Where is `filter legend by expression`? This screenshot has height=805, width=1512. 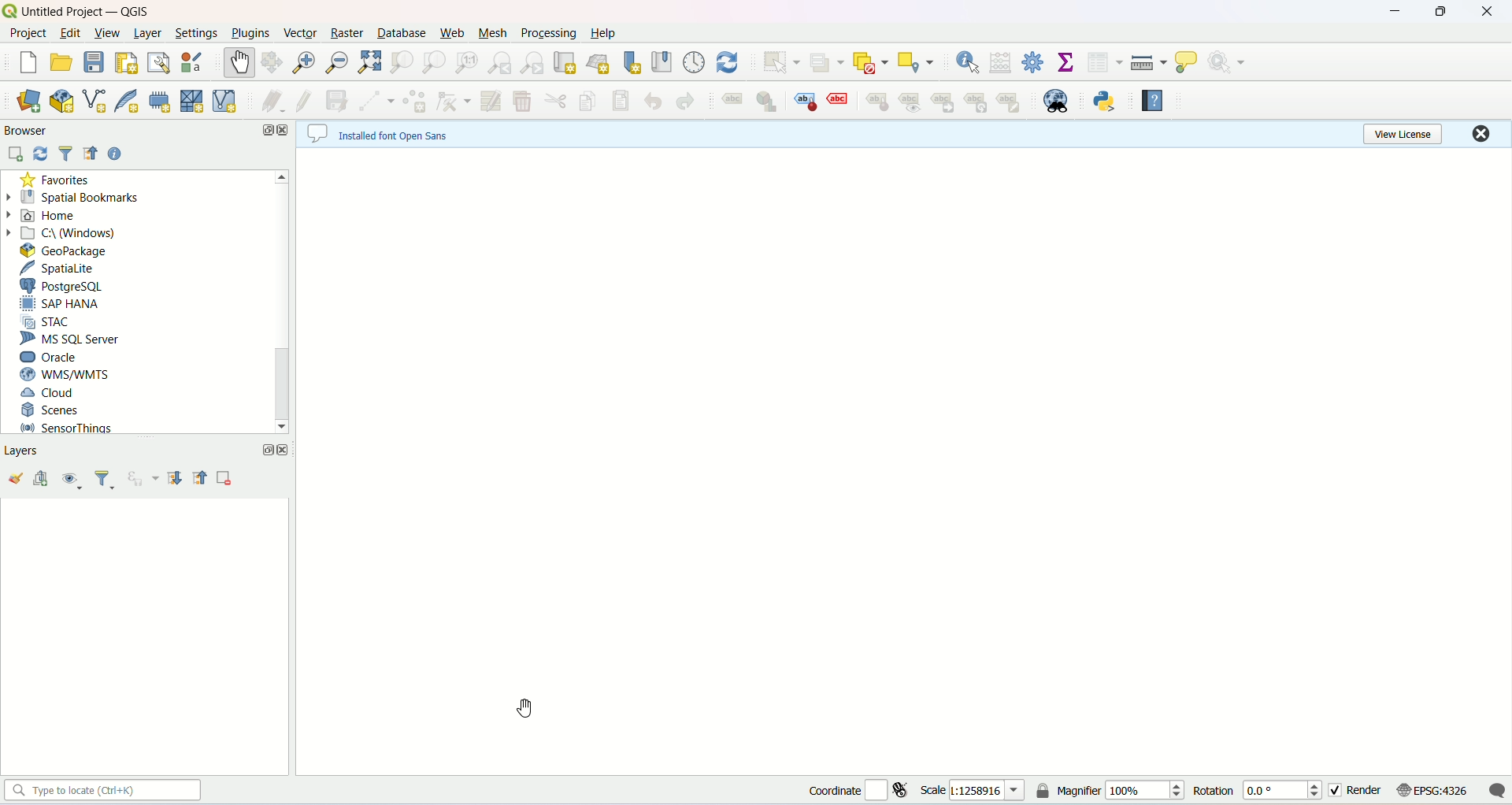
filter legend by expression is located at coordinates (145, 480).